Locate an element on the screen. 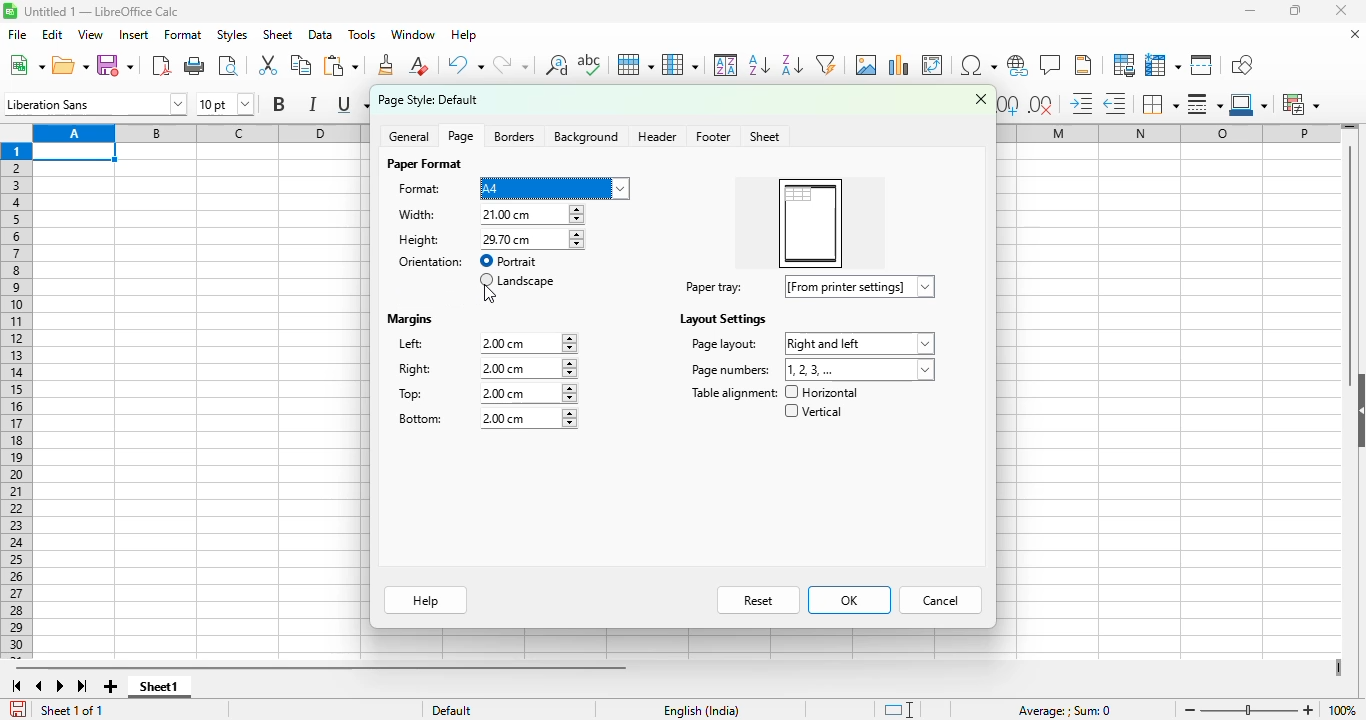 The image size is (1366, 720). format: is located at coordinates (420, 189).